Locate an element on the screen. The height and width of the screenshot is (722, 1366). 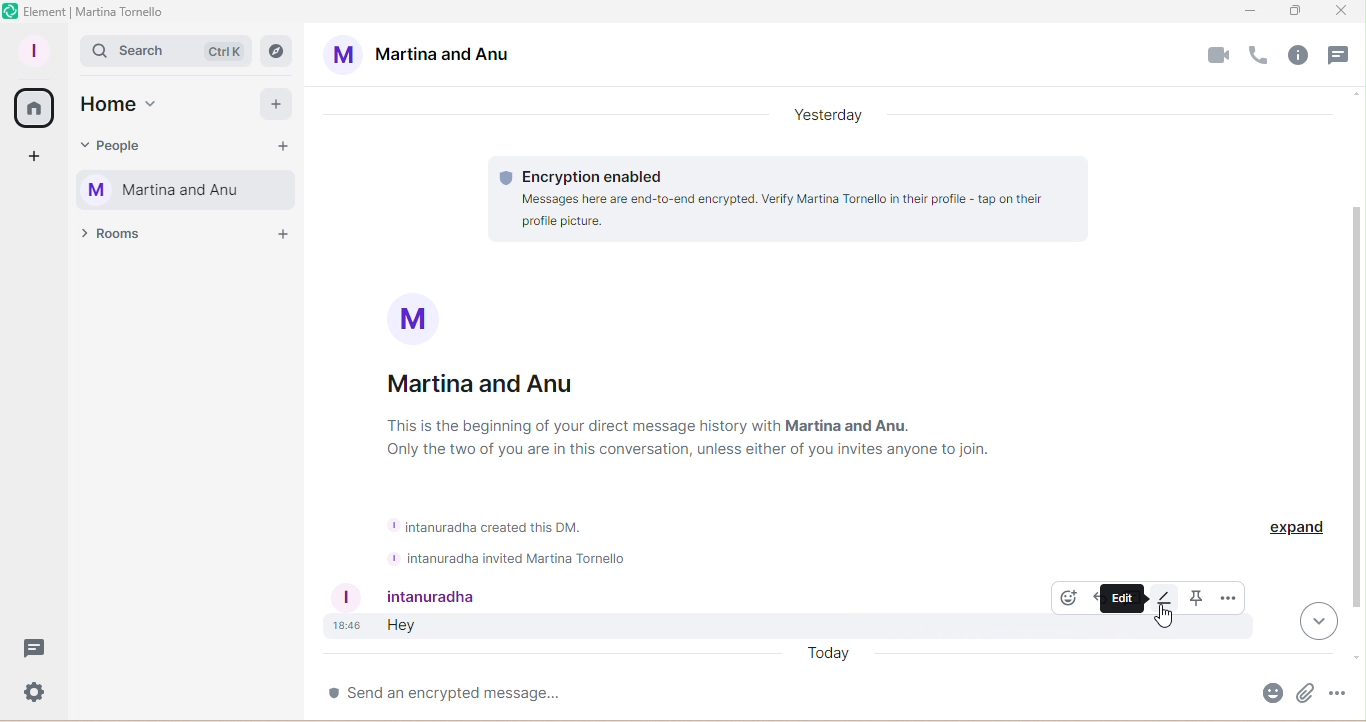
18:46 is located at coordinates (347, 627).